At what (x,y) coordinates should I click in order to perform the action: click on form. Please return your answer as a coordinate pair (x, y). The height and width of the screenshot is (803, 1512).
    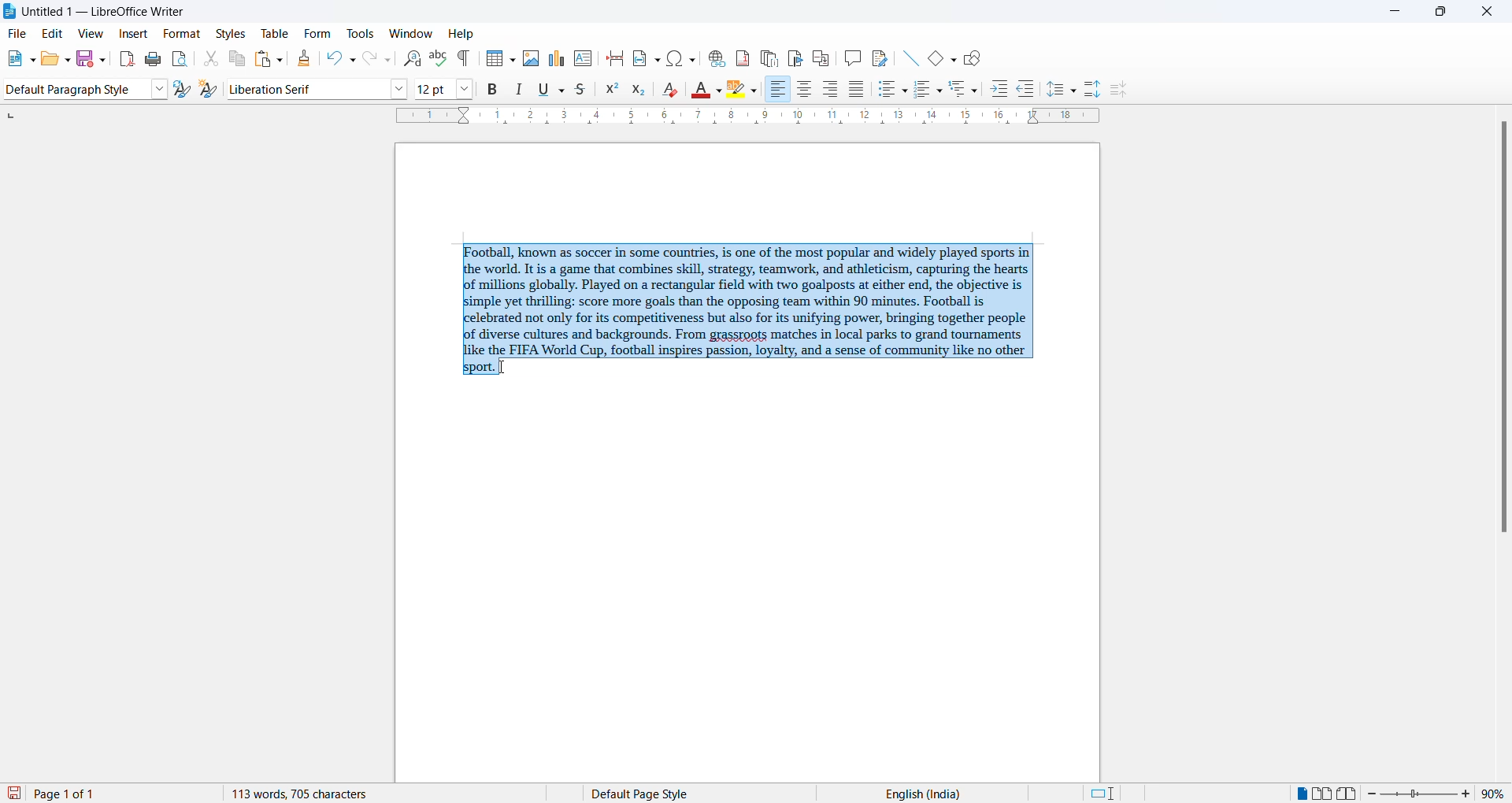
    Looking at the image, I should click on (315, 33).